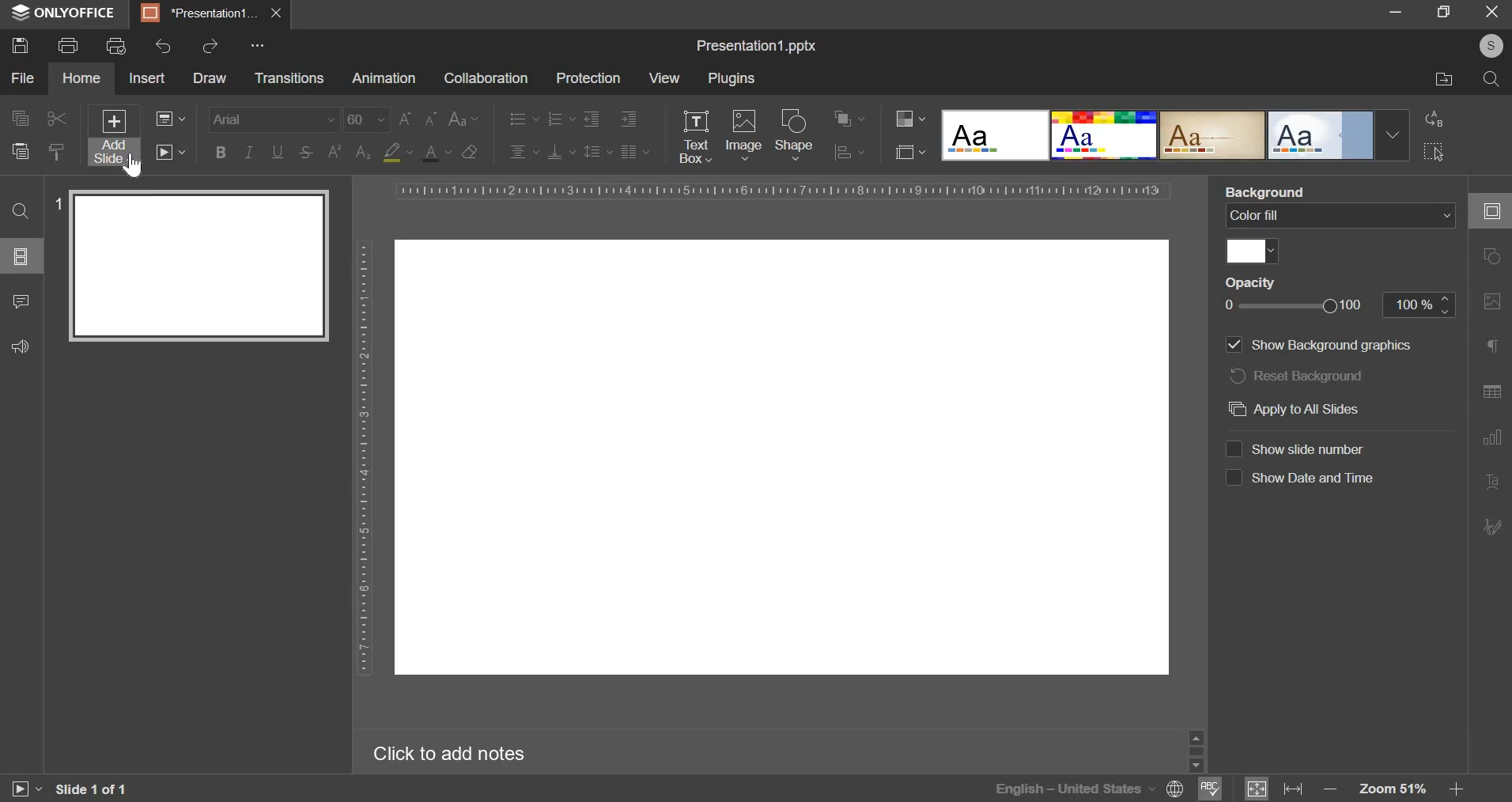  What do you see at coordinates (464, 117) in the screenshot?
I see `change case` at bounding box center [464, 117].